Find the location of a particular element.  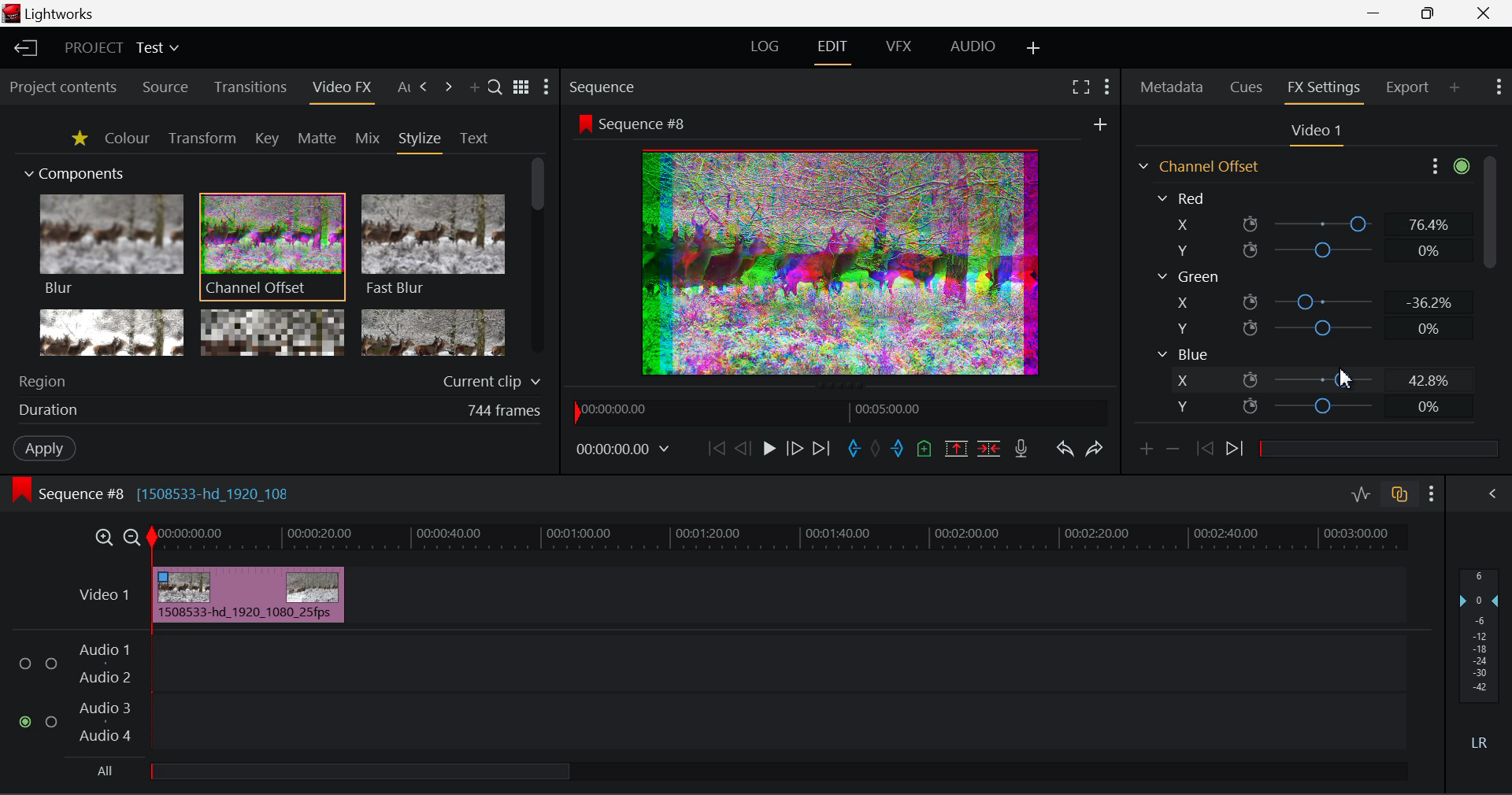

Blue is located at coordinates (1183, 355).